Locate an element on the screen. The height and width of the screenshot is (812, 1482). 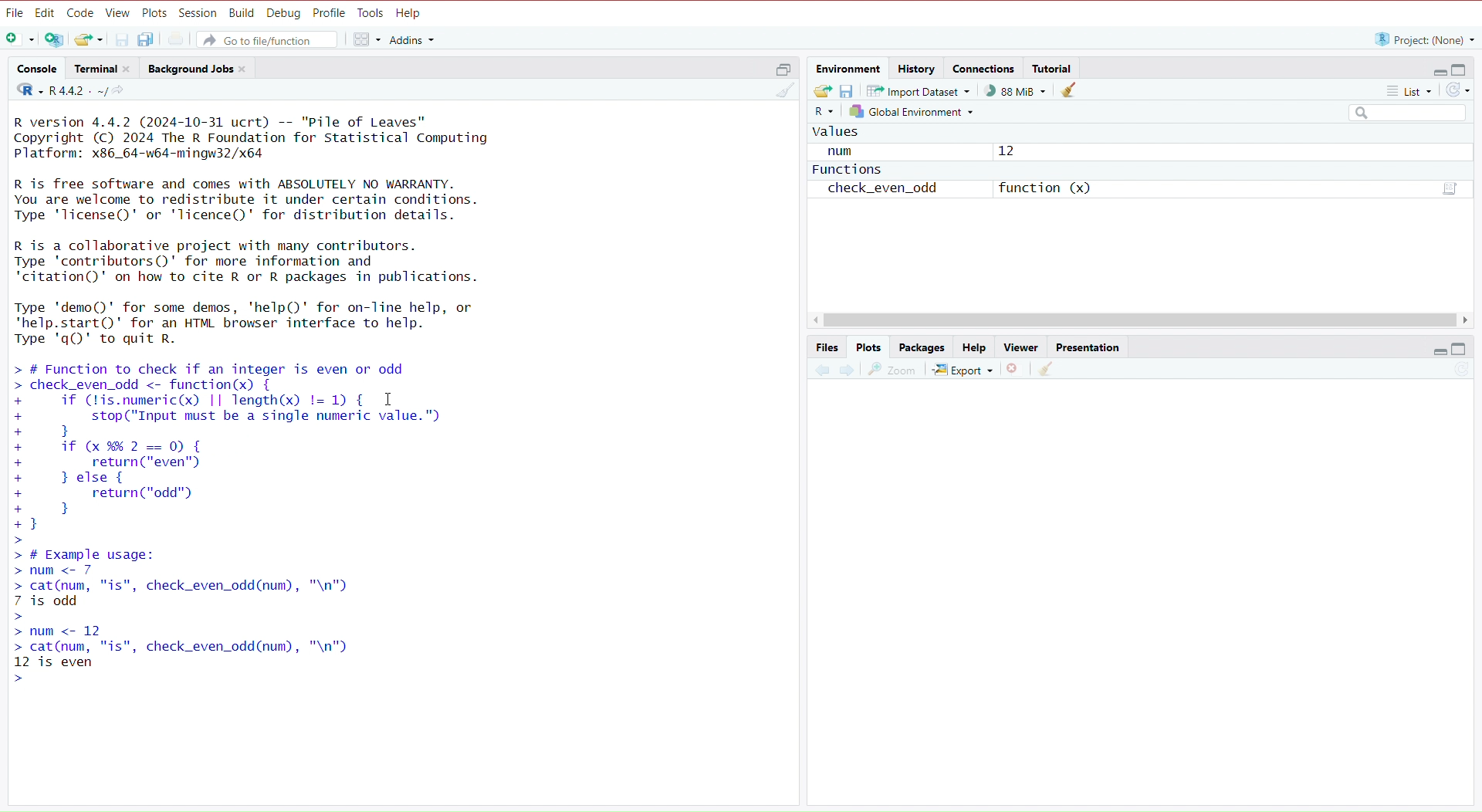
refresh list is located at coordinates (1458, 90).